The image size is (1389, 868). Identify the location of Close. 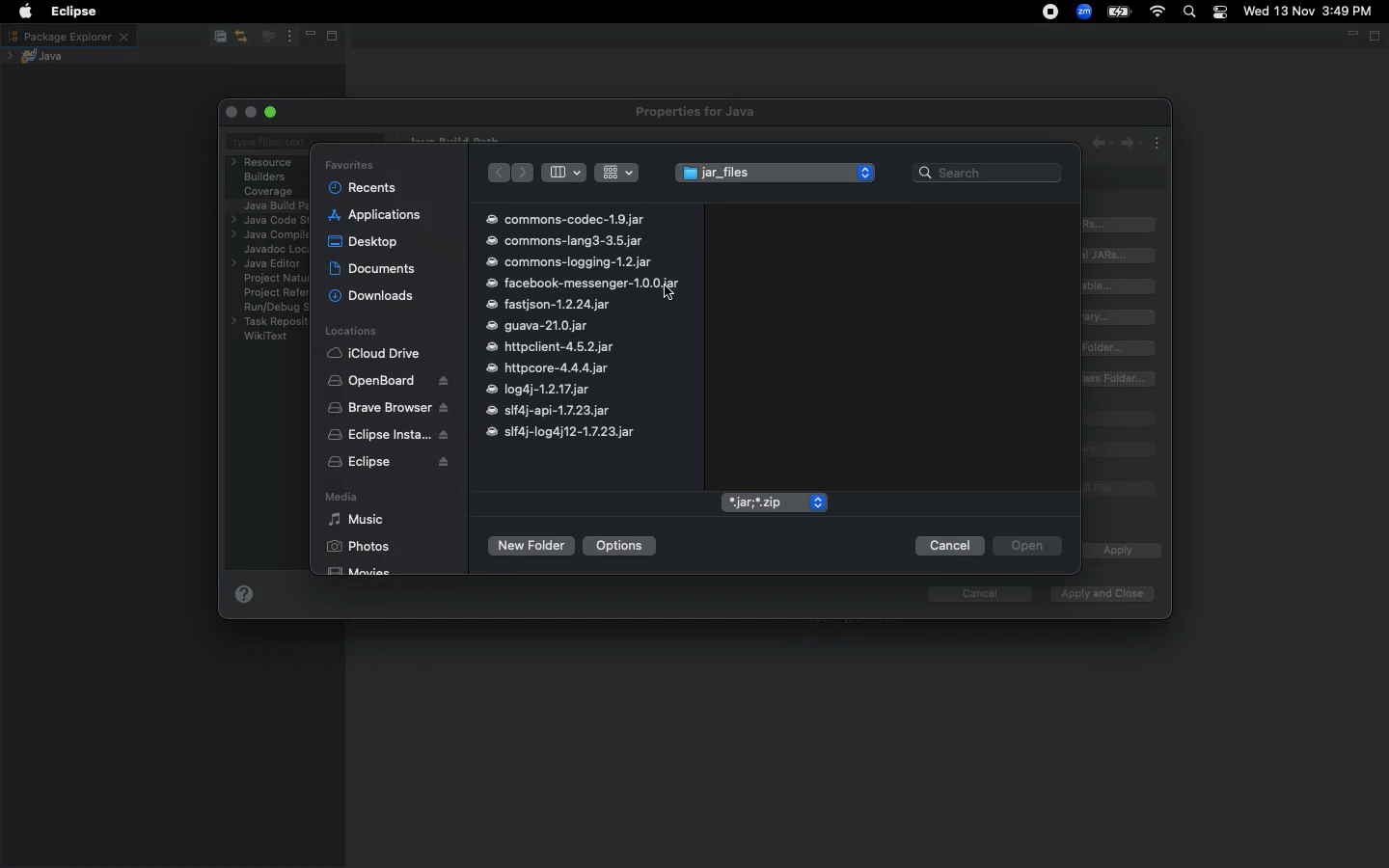
(233, 112).